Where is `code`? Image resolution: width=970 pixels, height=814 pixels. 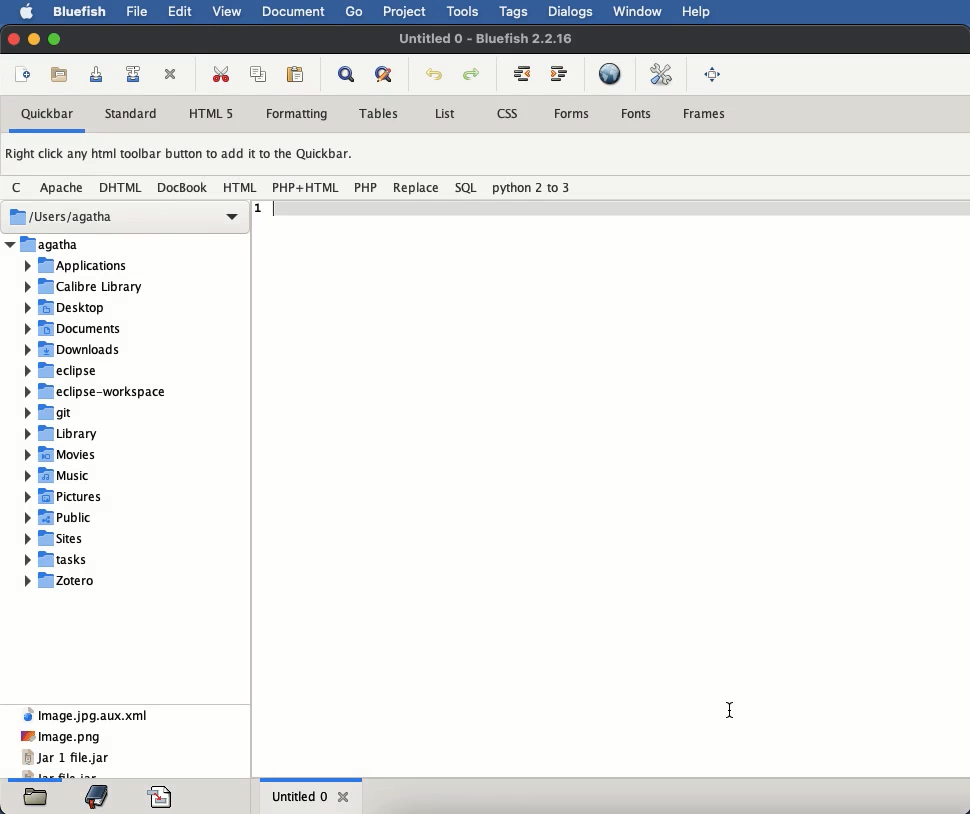
code is located at coordinates (162, 797).